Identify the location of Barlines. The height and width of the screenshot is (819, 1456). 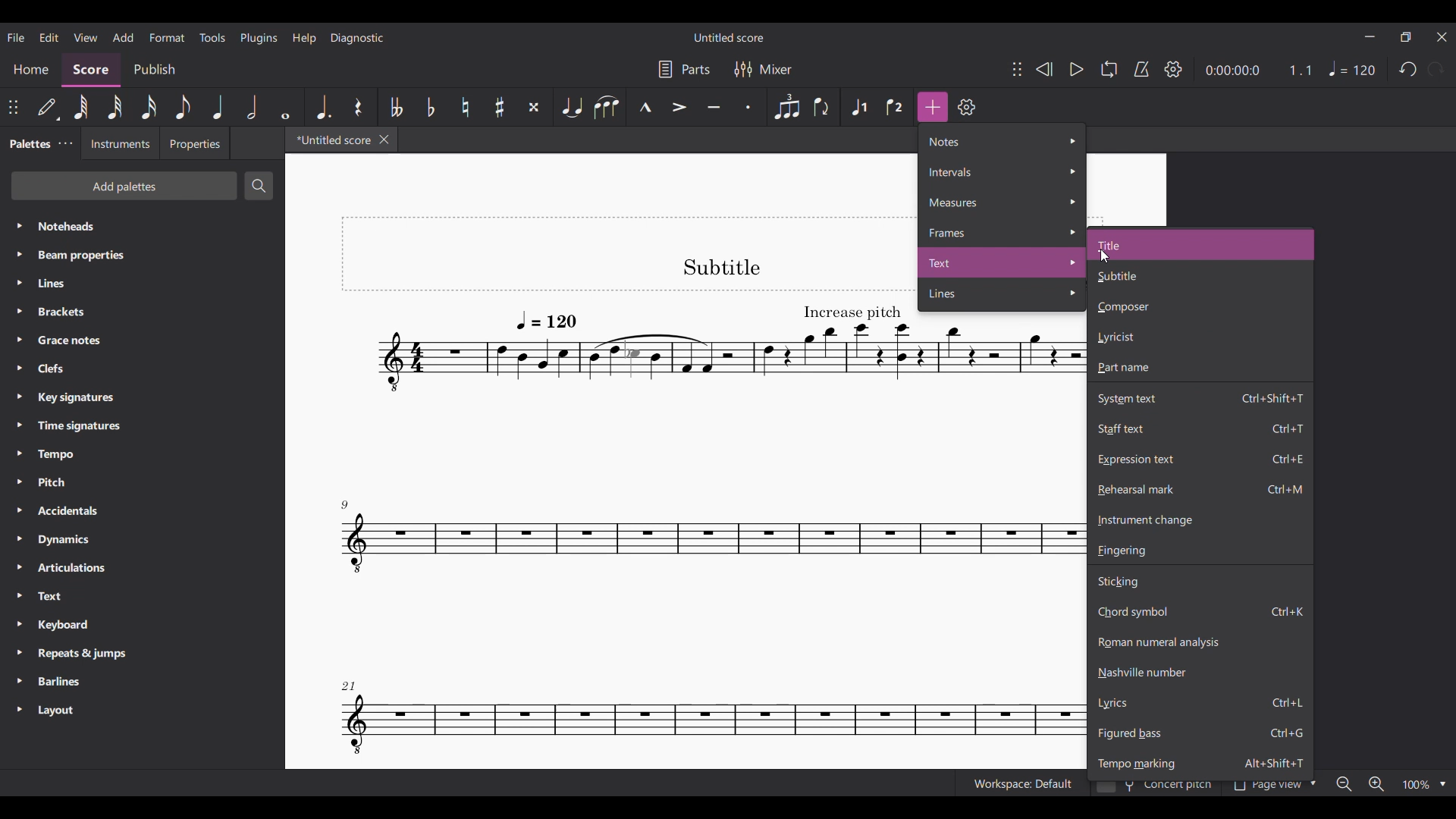
(143, 682).